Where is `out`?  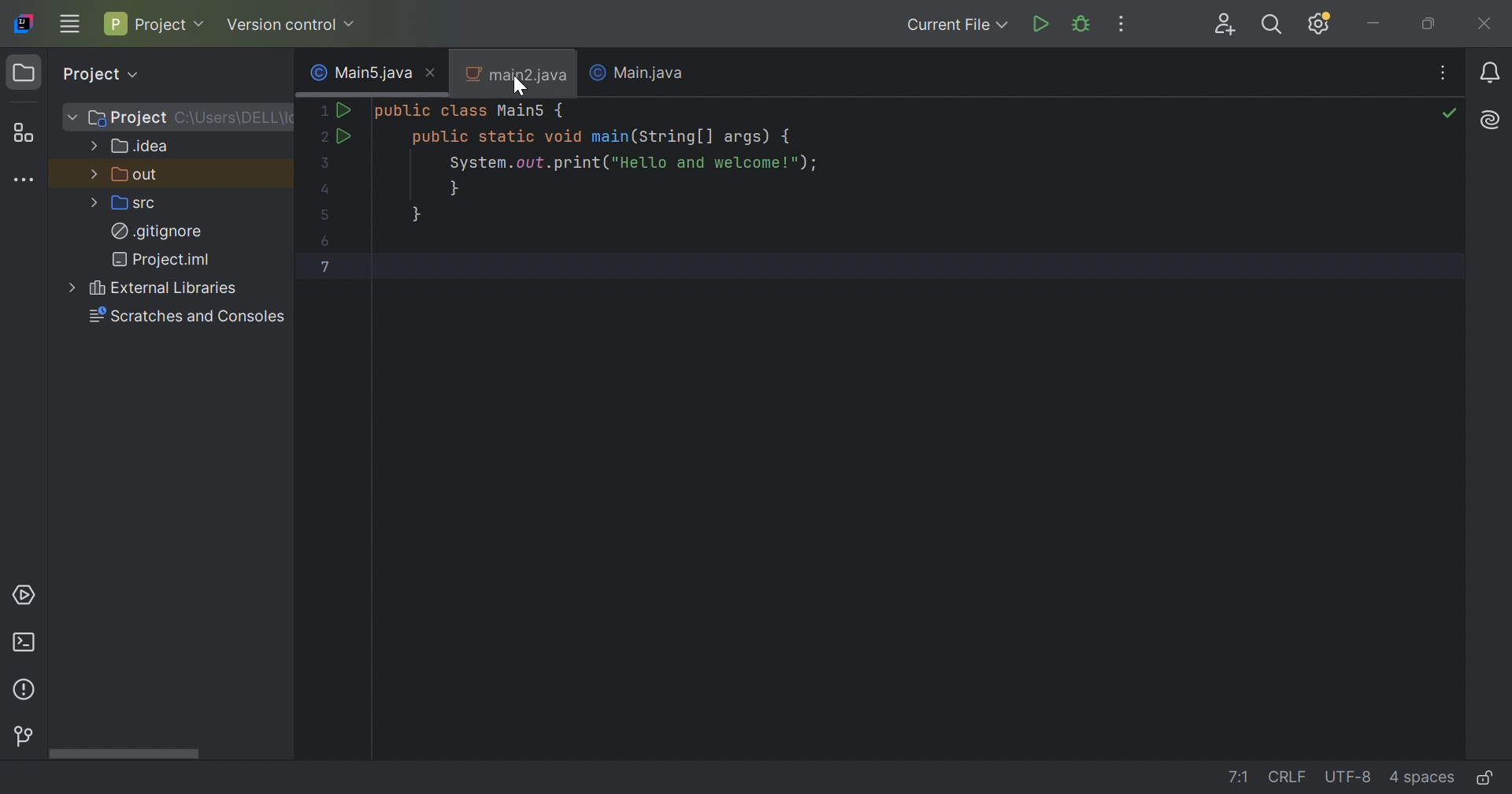 out is located at coordinates (138, 176).